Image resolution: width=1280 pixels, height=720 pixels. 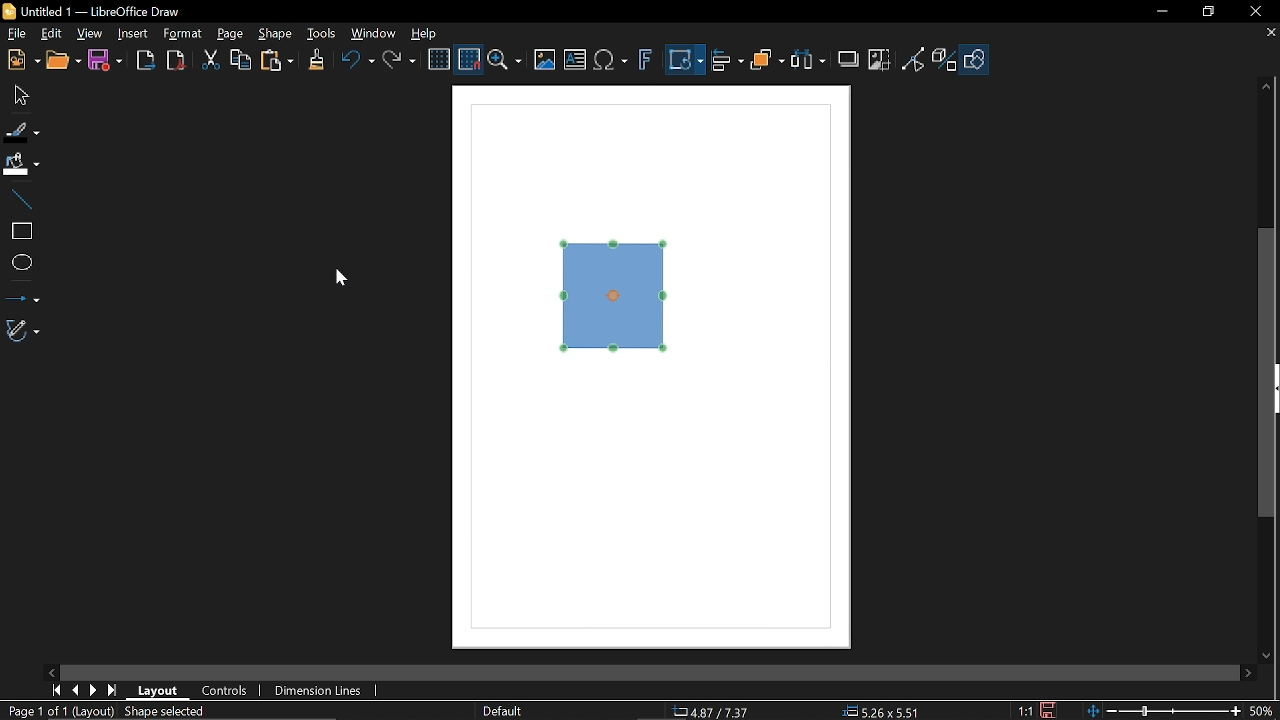 I want to click on Crop, so click(x=879, y=60).